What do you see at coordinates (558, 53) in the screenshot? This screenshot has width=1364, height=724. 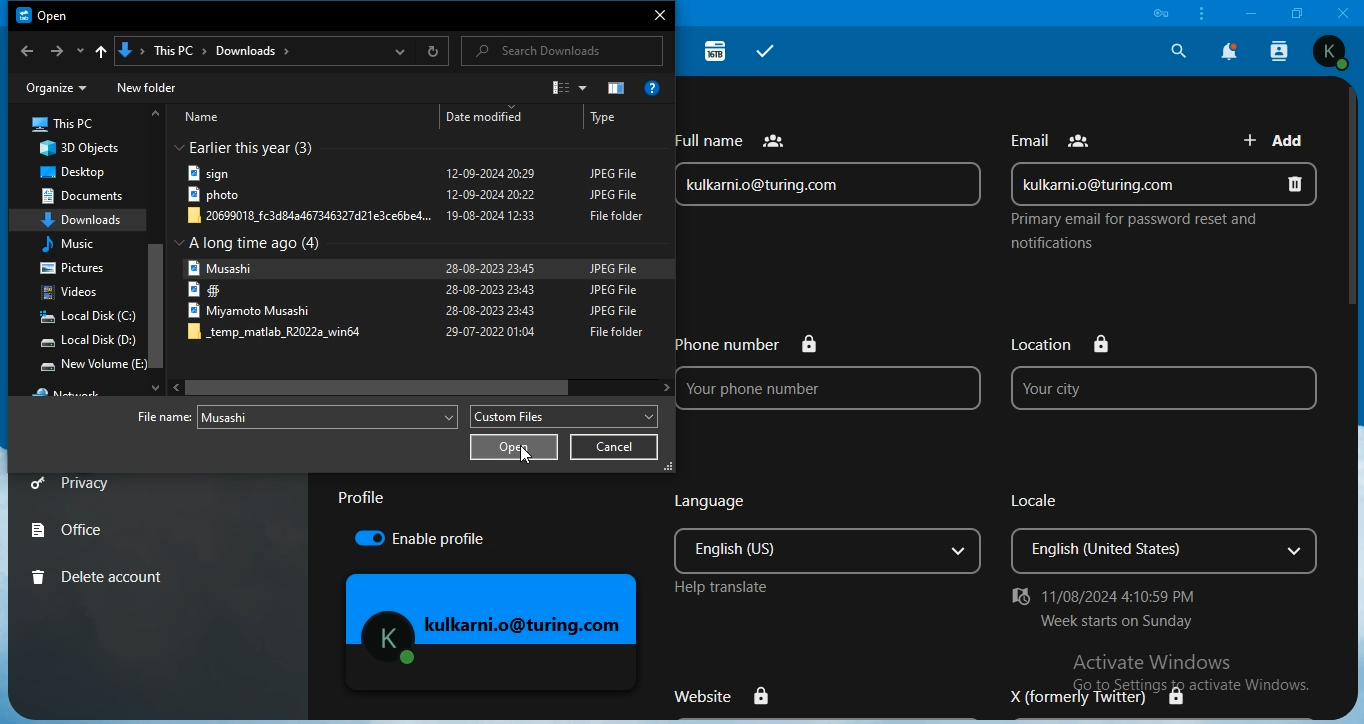 I see `search` at bounding box center [558, 53].